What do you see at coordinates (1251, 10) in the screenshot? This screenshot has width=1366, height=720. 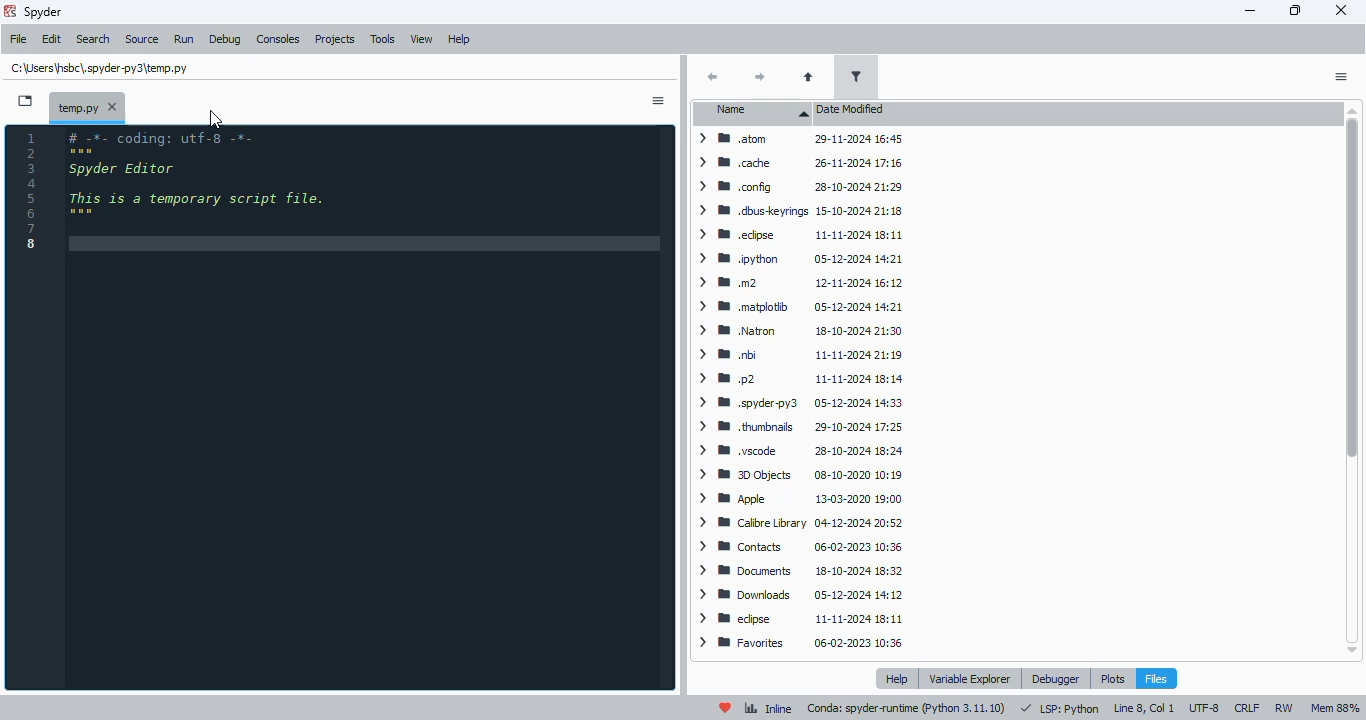 I see `minimize` at bounding box center [1251, 10].